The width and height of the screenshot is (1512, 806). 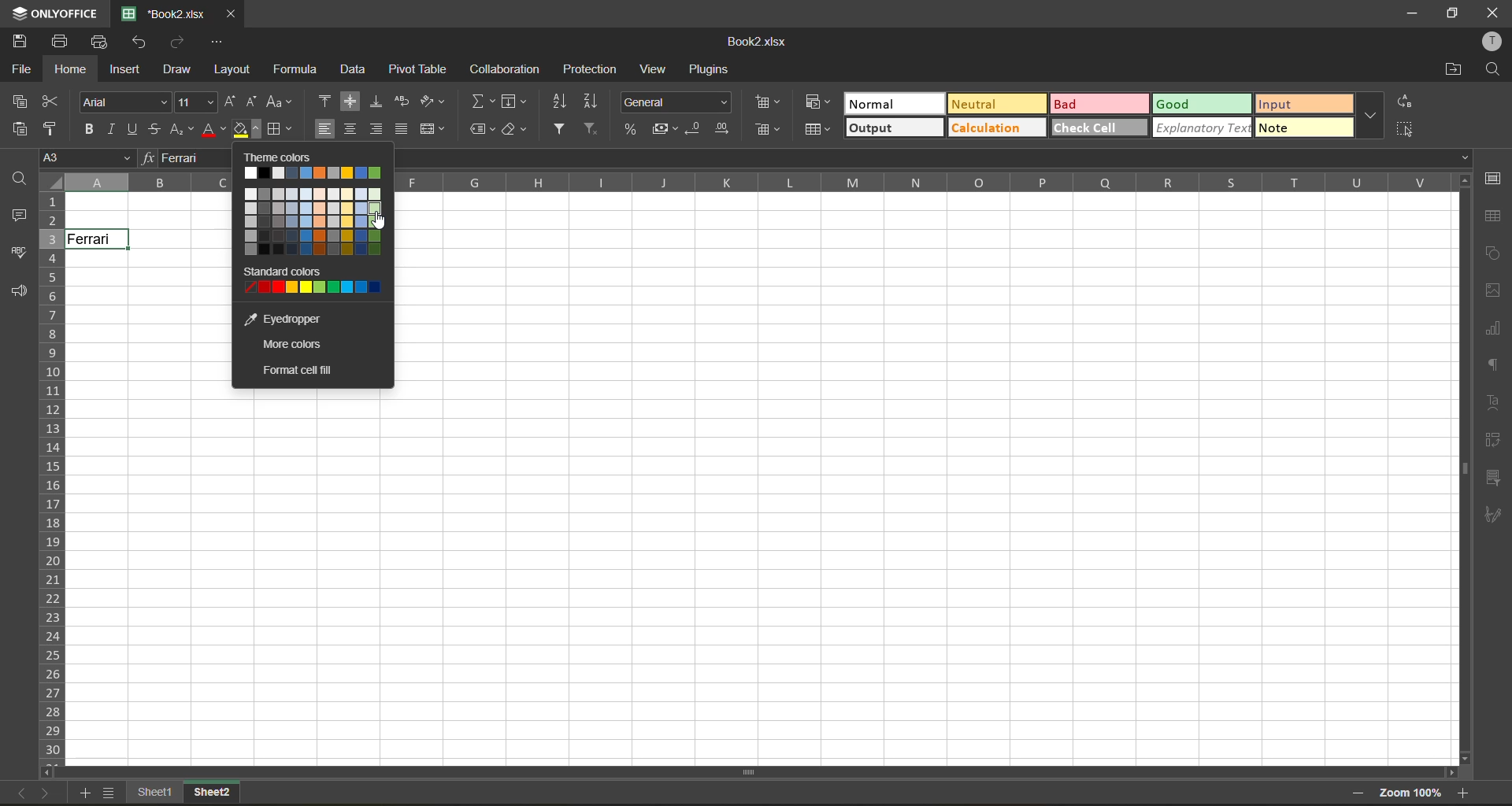 I want to click on input, so click(x=1301, y=105).